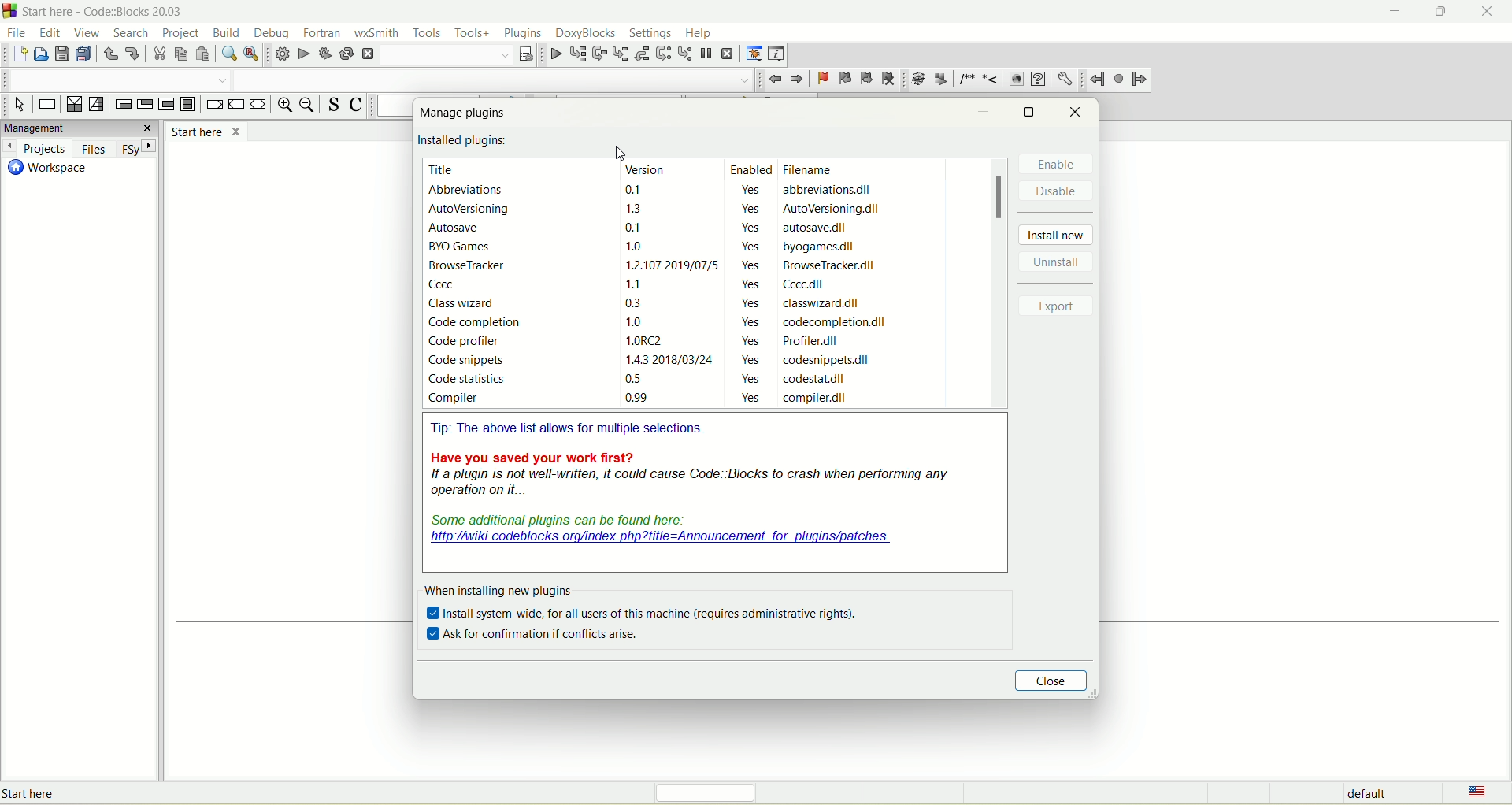 The height and width of the screenshot is (805, 1512). What do you see at coordinates (331, 105) in the screenshot?
I see `toggle source` at bounding box center [331, 105].